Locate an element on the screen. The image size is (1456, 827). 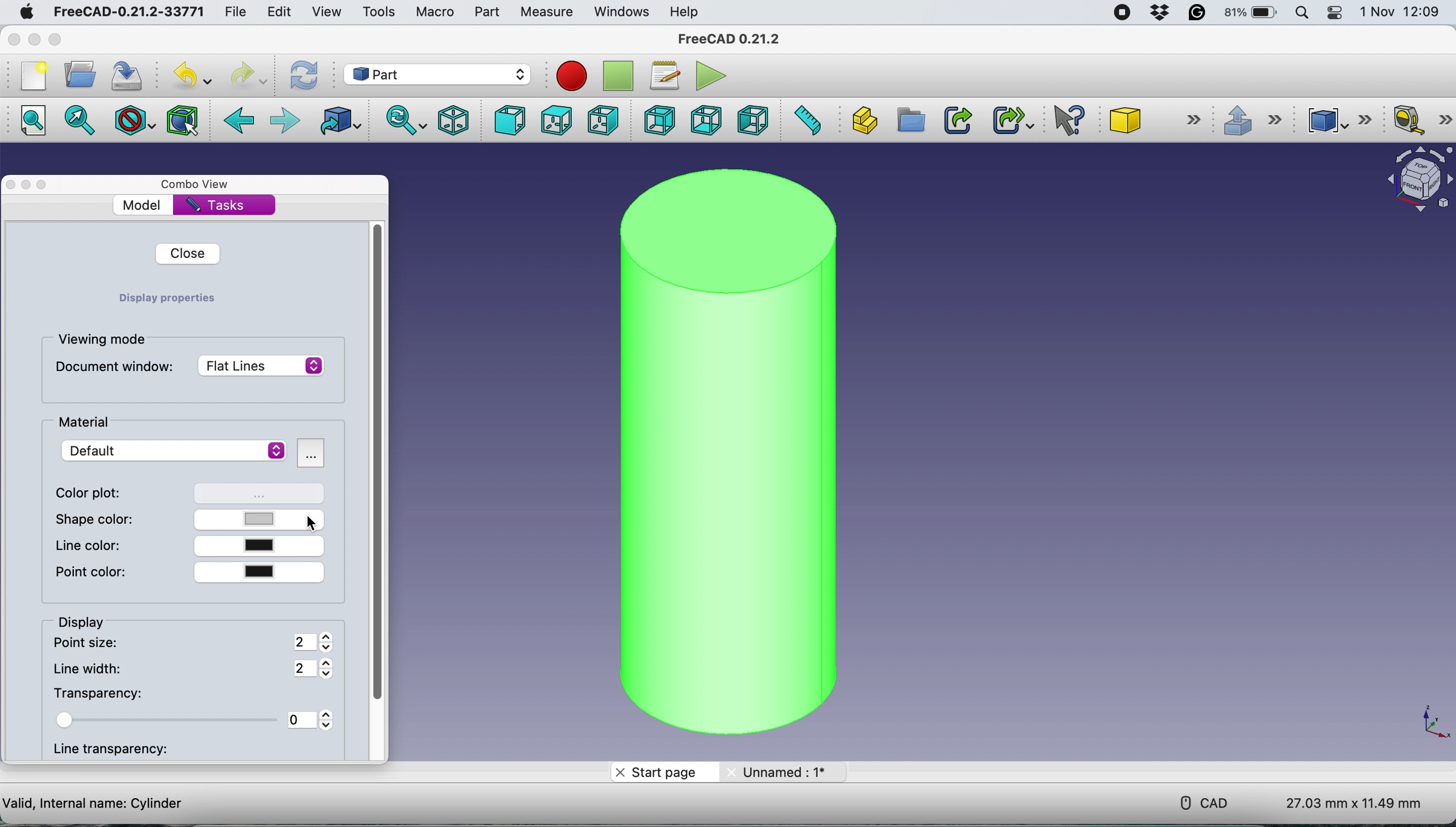
battery is located at coordinates (1251, 14).